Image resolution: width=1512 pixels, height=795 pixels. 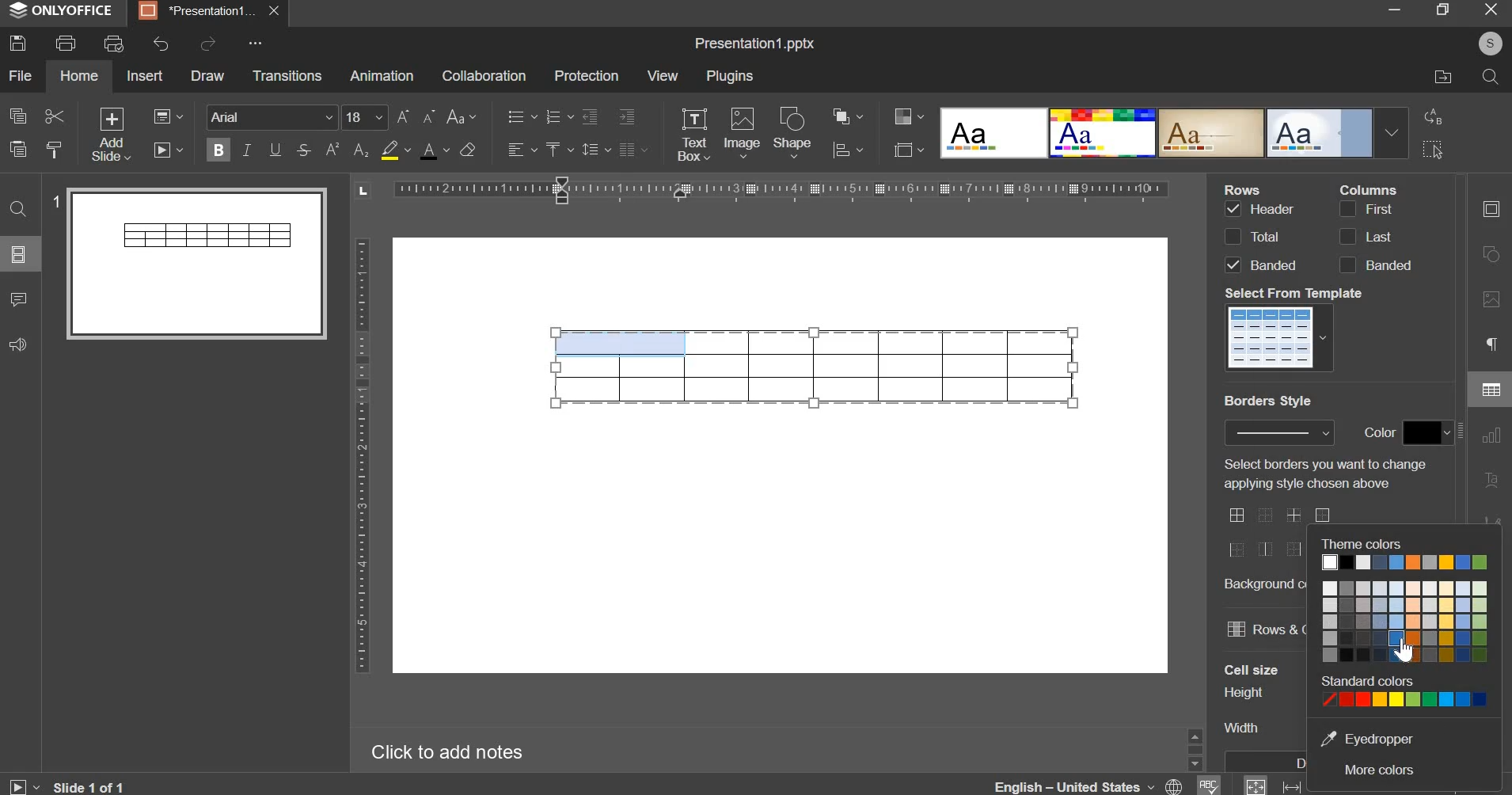 I want to click on numbering, so click(x=557, y=117).